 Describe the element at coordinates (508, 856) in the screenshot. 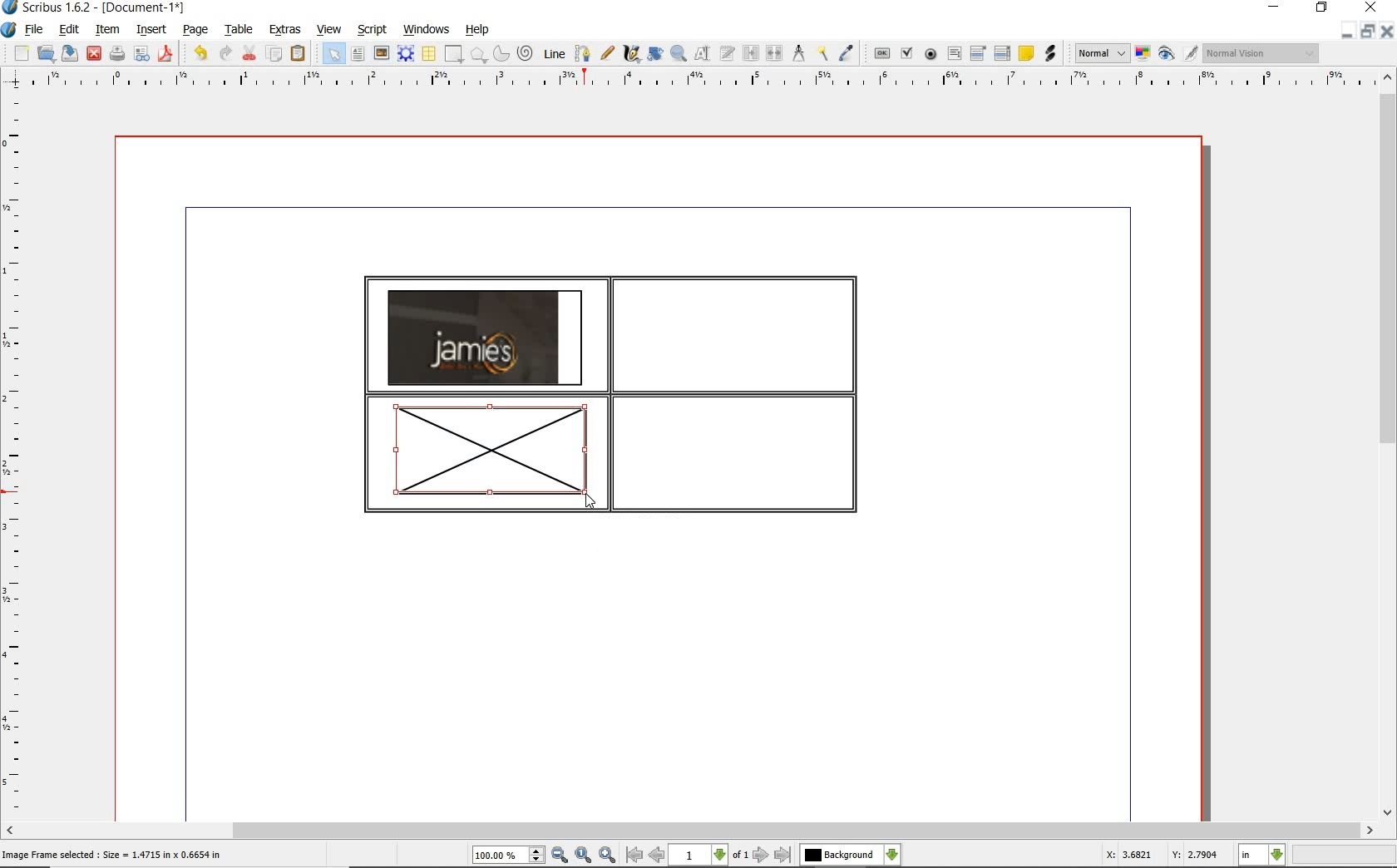

I see `select current zoom level` at that location.